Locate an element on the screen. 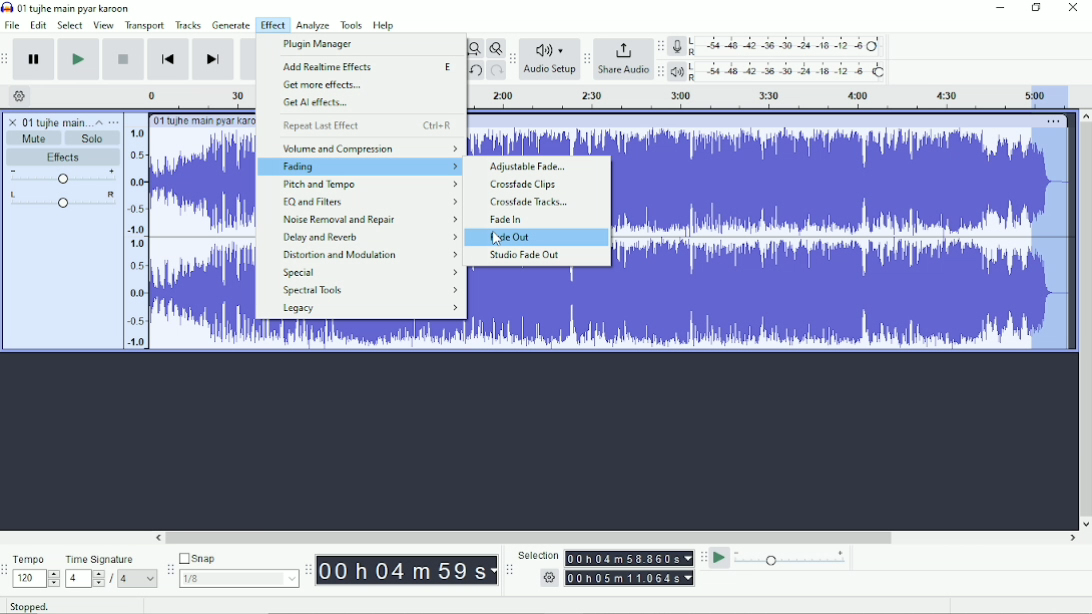 This screenshot has height=614, width=1092. Crossfade Clips is located at coordinates (528, 185).